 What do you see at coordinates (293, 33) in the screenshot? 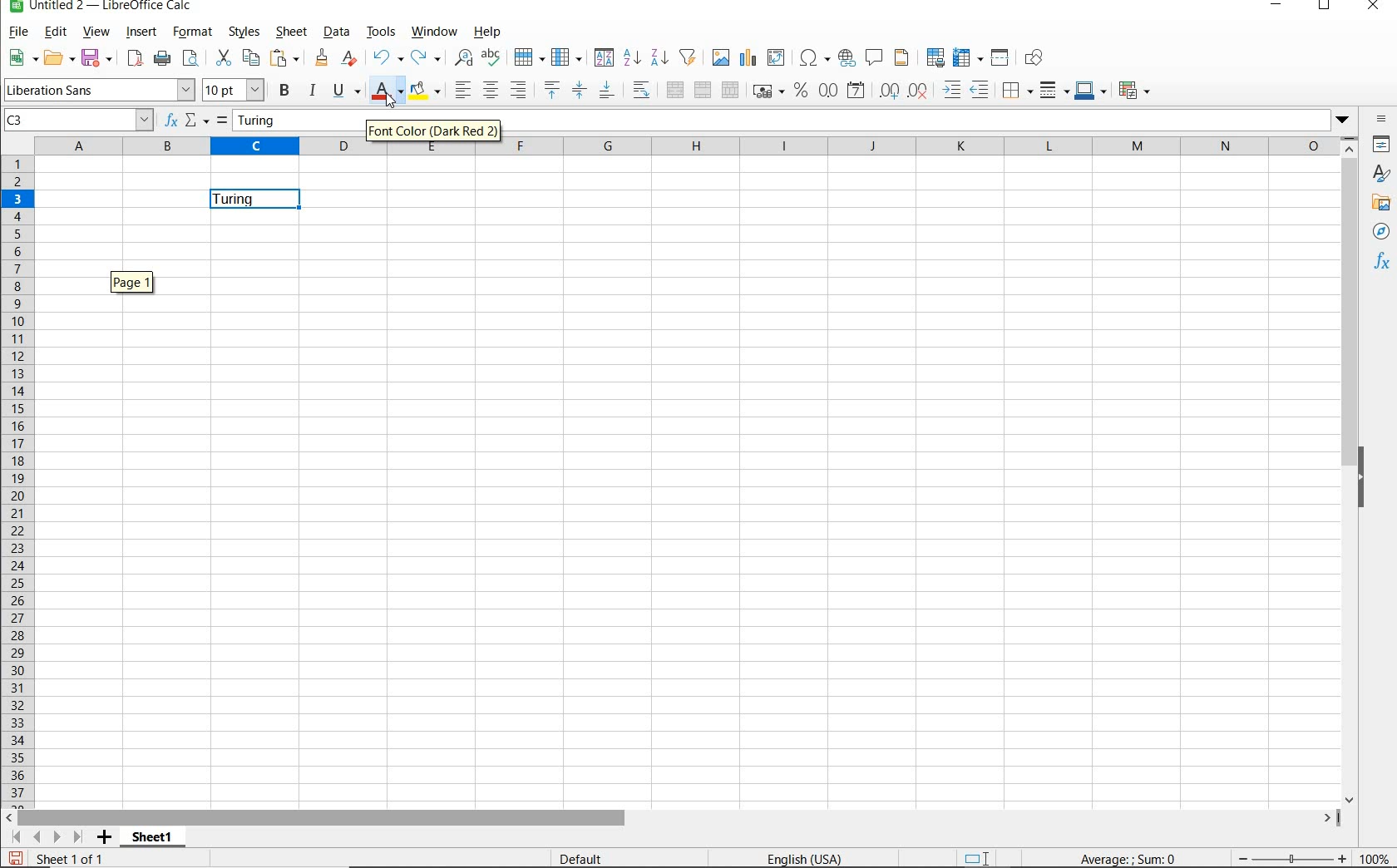
I see `SHEET` at bounding box center [293, 33].